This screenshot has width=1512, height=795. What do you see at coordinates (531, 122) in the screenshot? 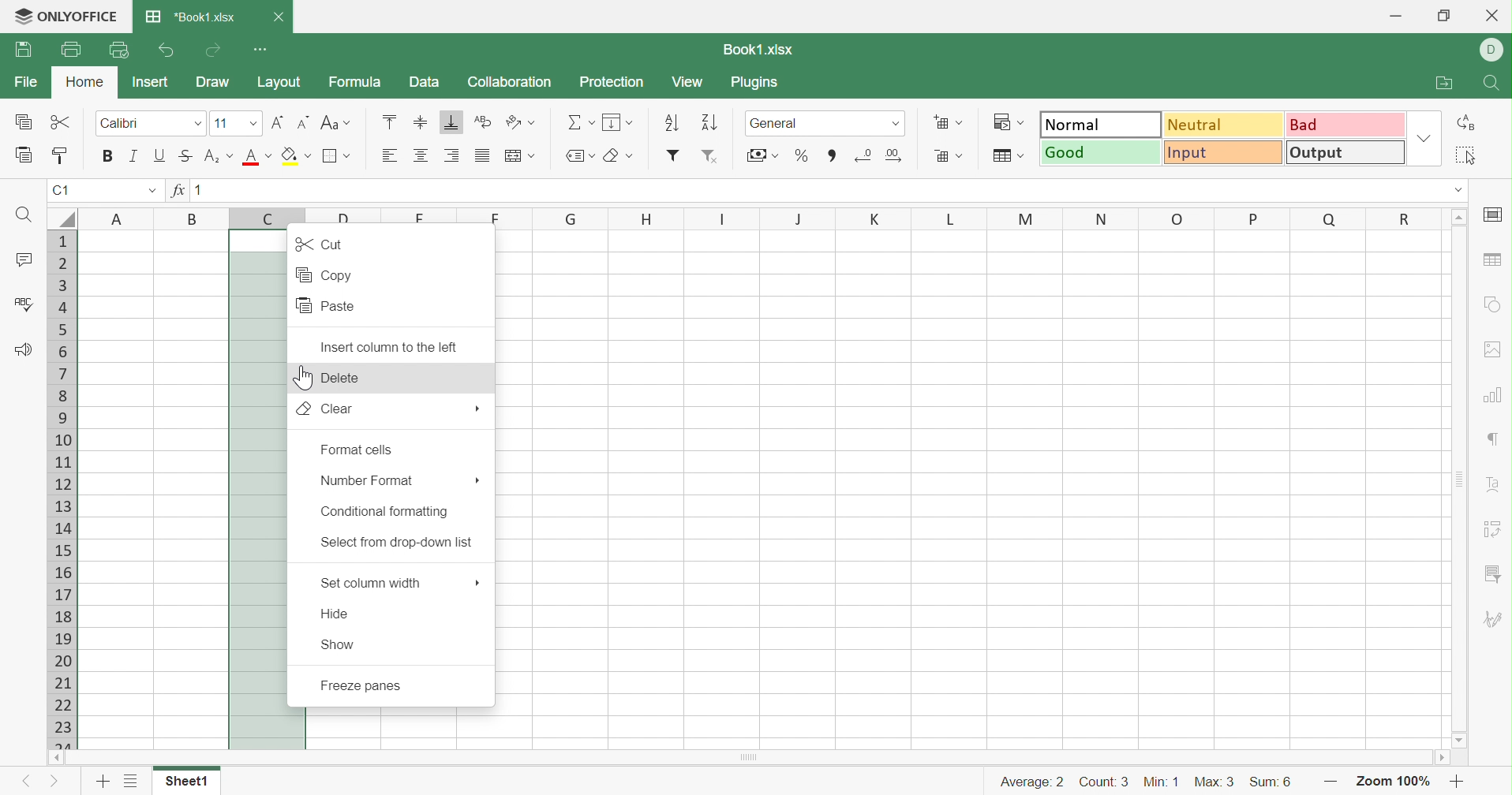
I see `Drop Down` at bounding box center [531, 122].